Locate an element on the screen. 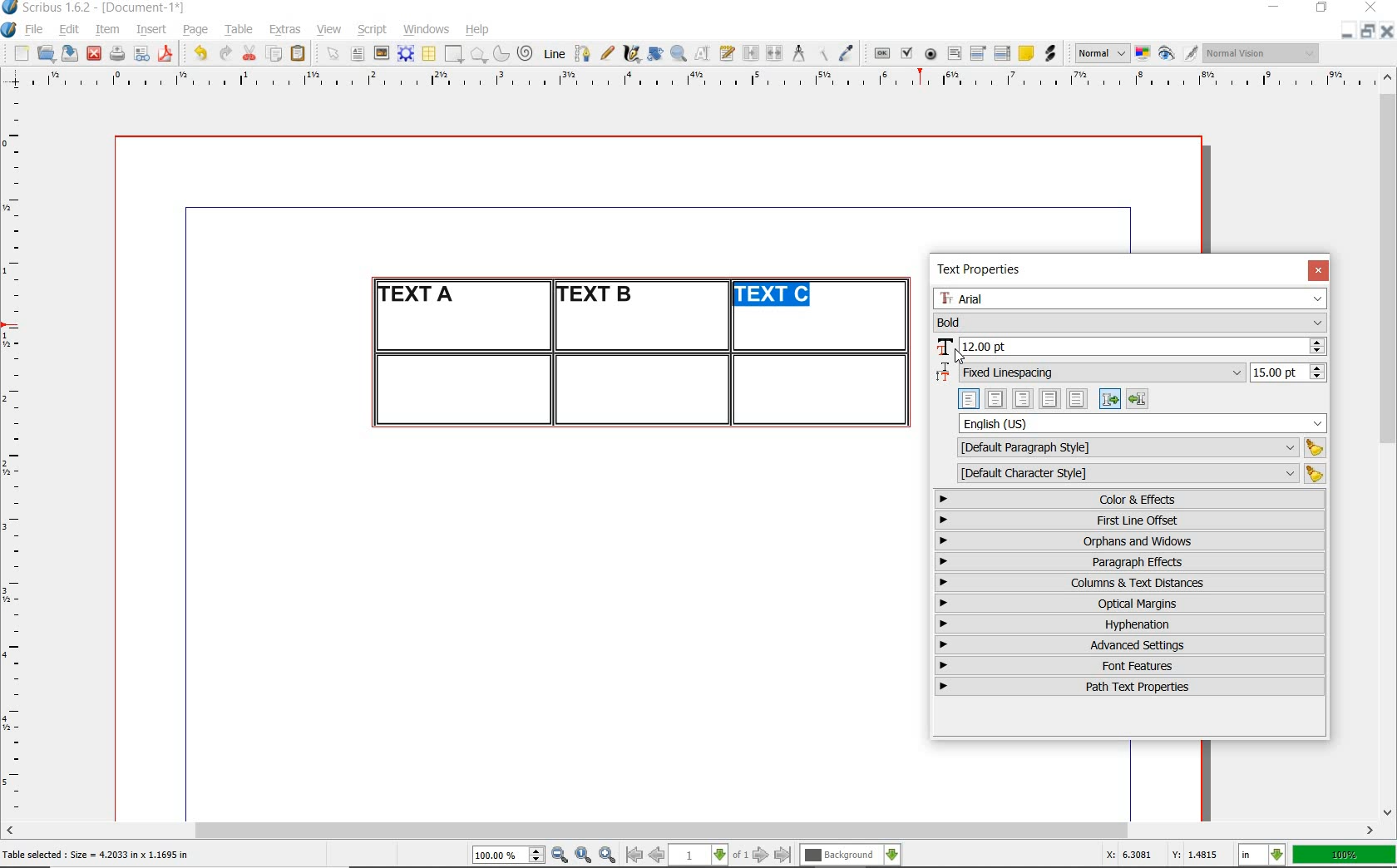  undo is located at coordinates (200, 53).